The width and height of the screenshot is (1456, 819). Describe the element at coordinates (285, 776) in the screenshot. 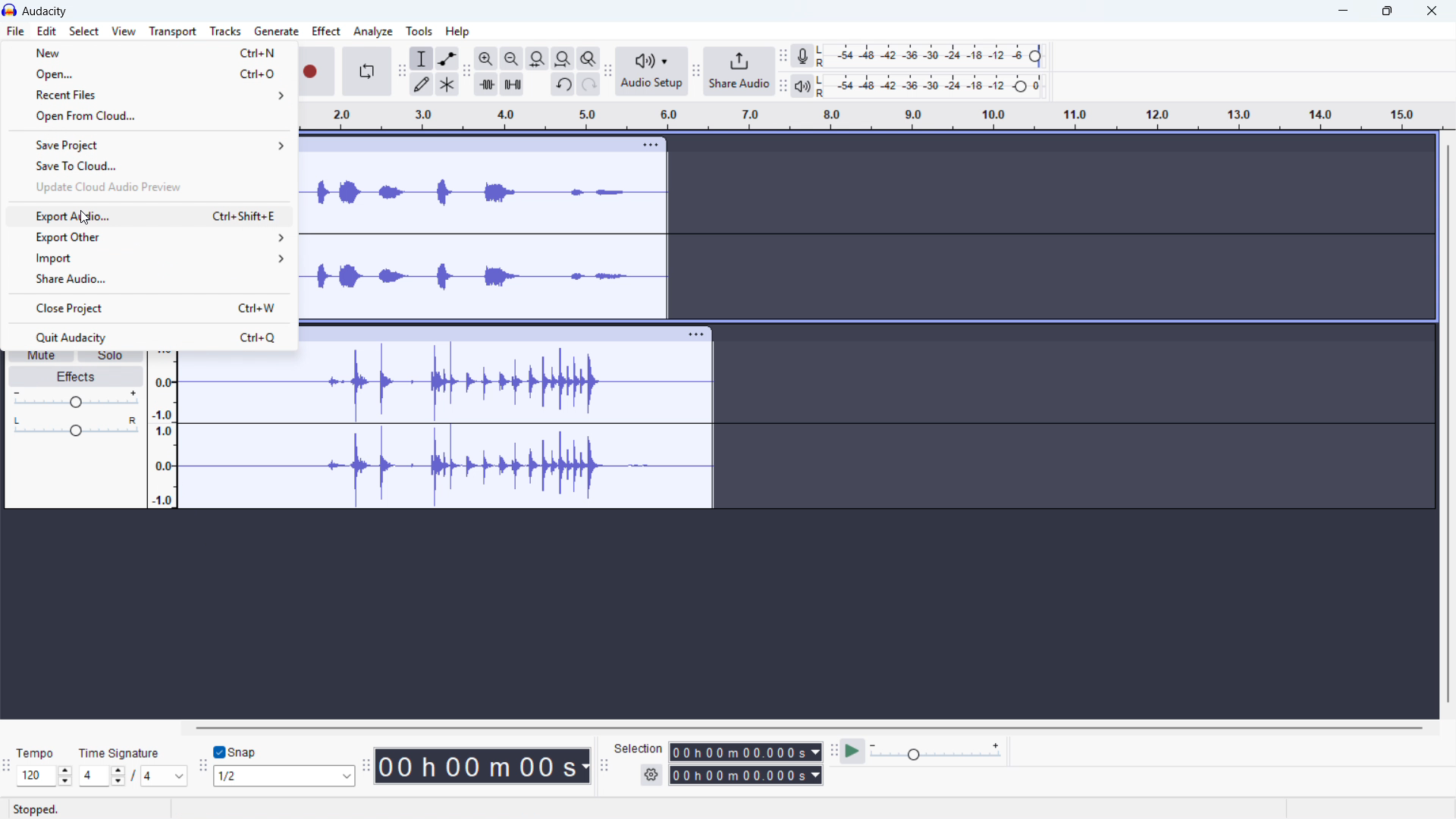

I see `Set snapping` at that location.